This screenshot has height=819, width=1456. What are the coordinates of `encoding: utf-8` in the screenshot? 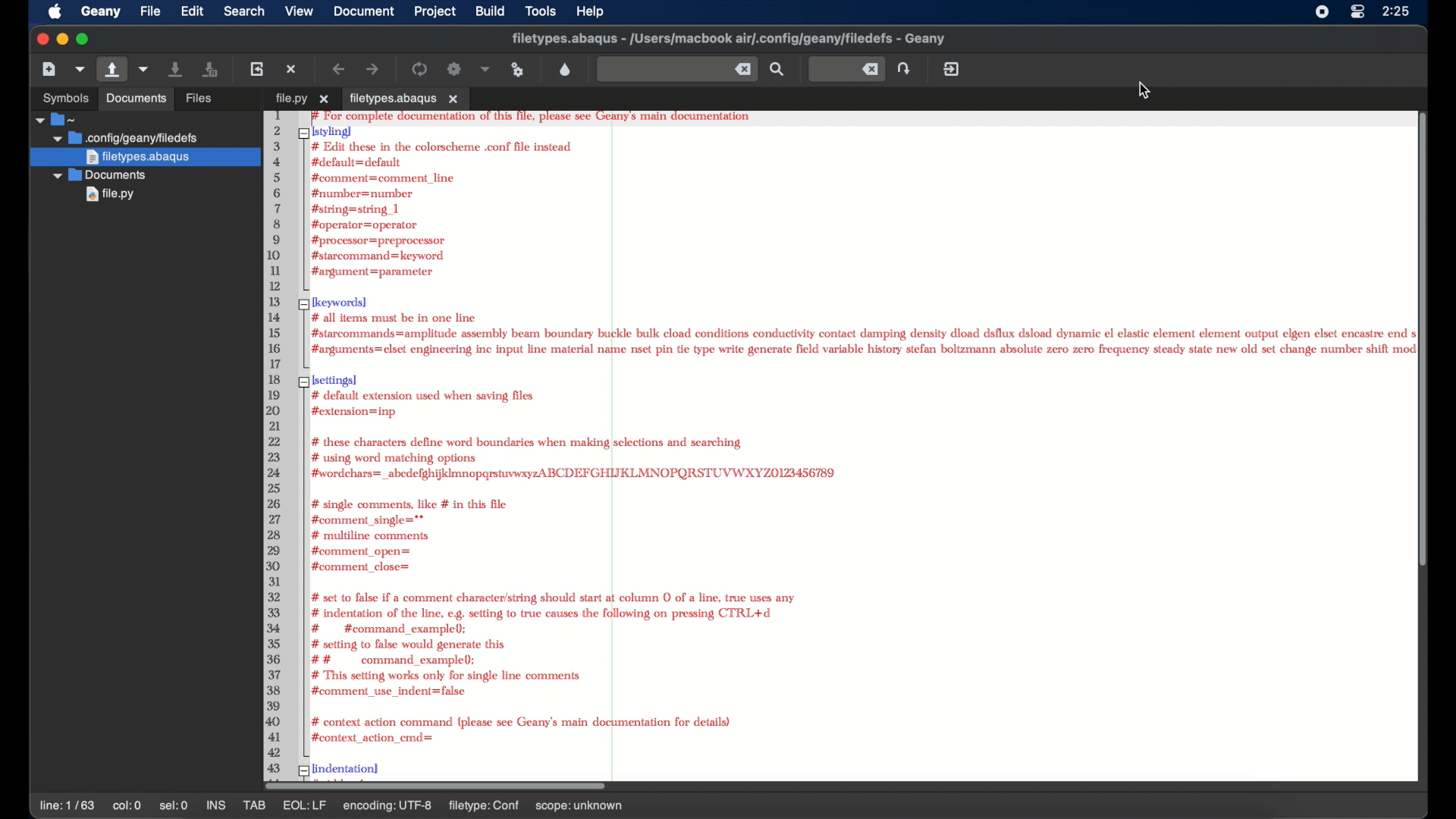 It's located at (433, 805).